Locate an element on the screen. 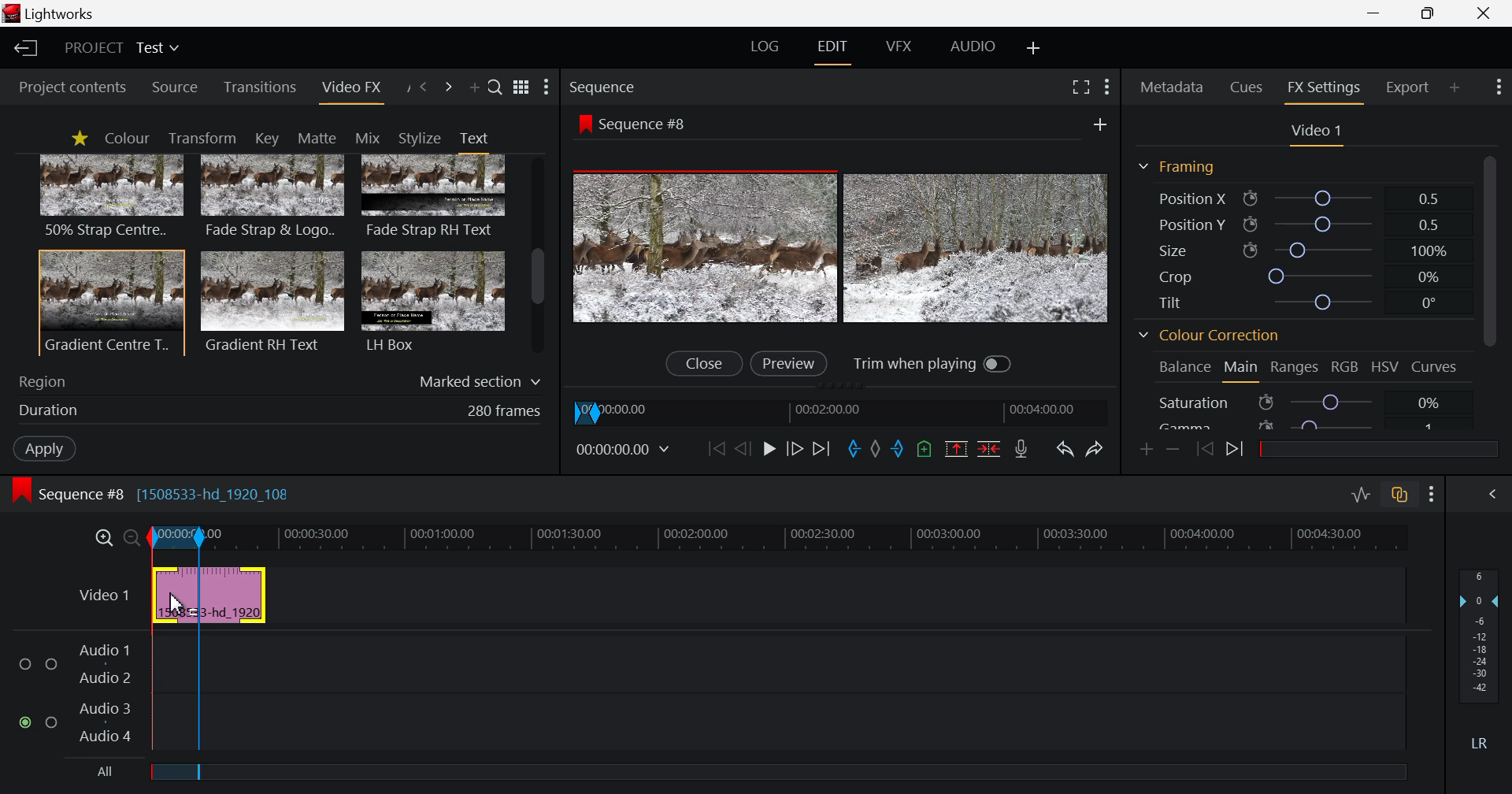 The width and height of the screenshot is (1512, 794). Redo is located at coordinates (1097, 447).